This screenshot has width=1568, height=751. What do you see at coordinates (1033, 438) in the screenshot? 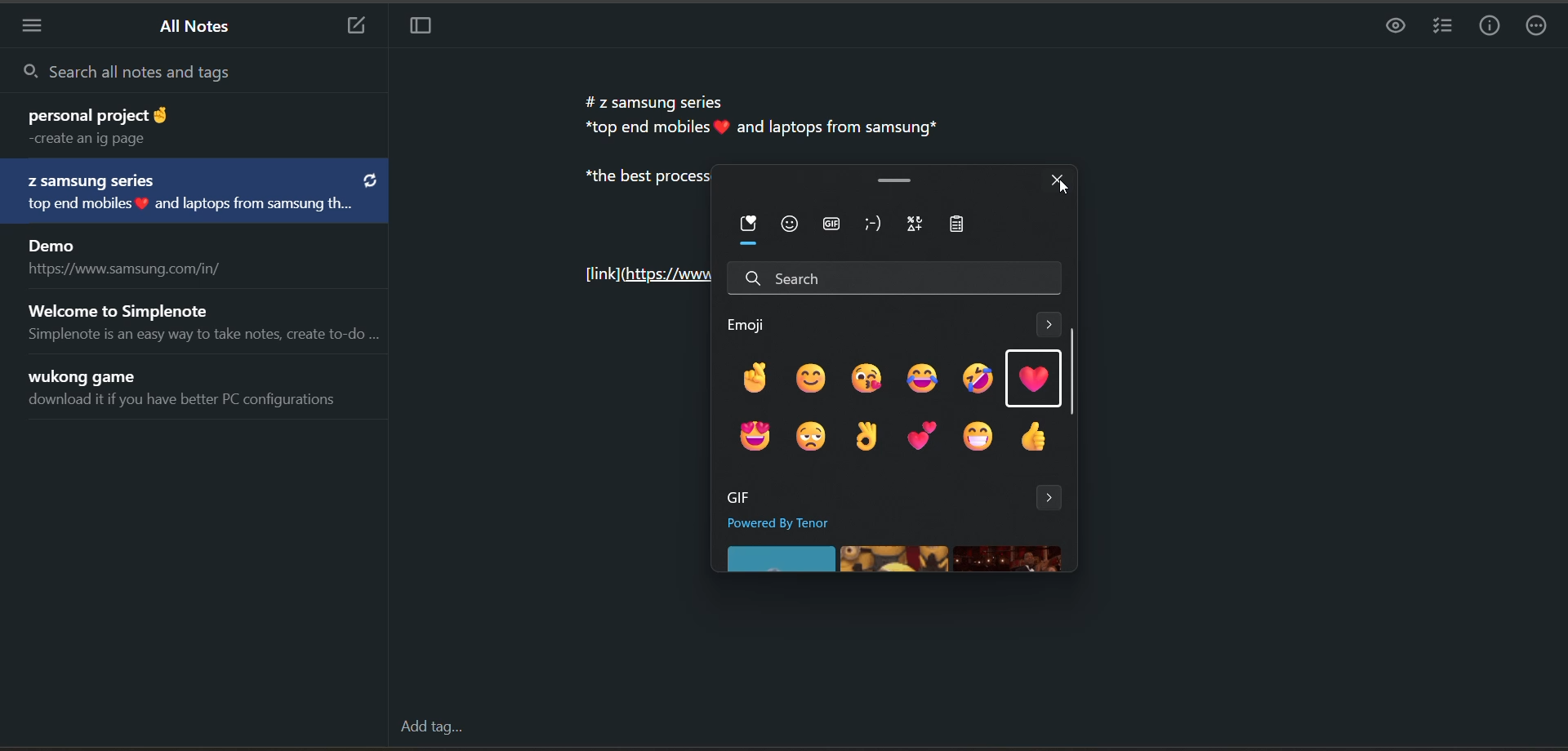
I see `emoji 12` at bounding box center [1033, 438].